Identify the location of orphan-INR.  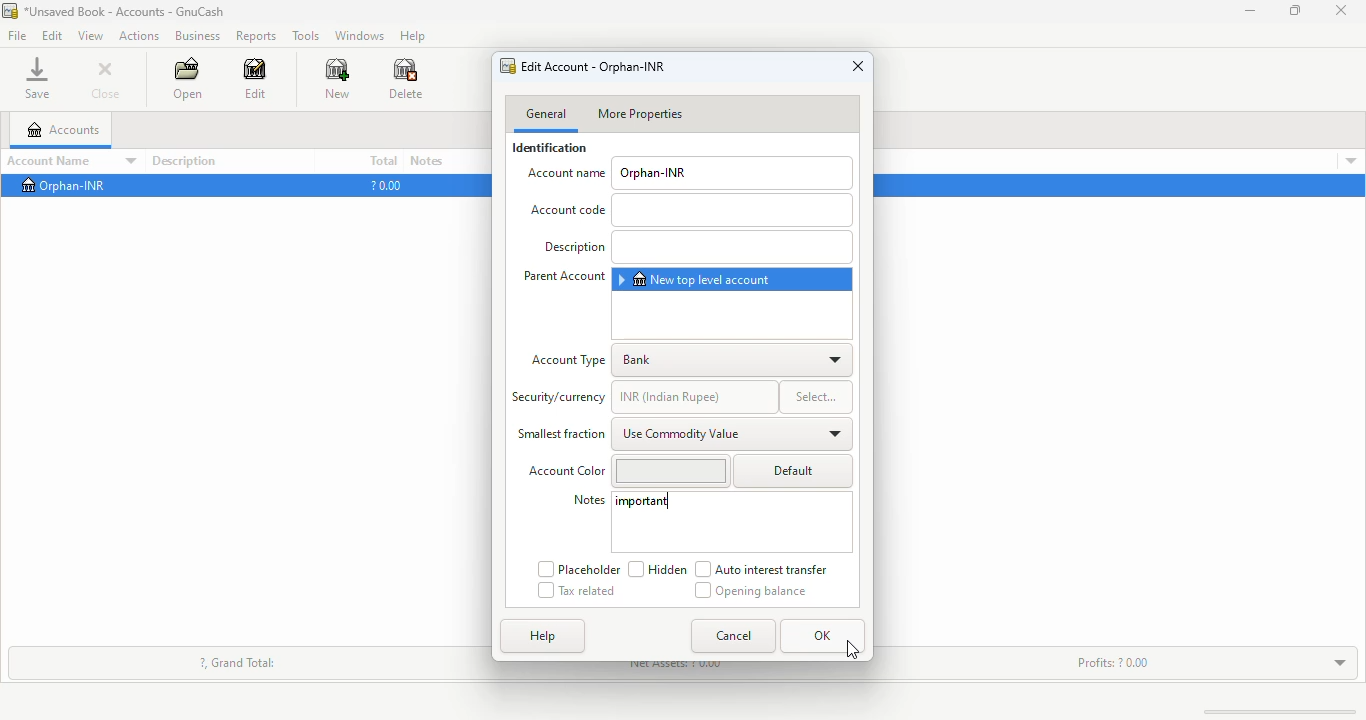
(732, 173).